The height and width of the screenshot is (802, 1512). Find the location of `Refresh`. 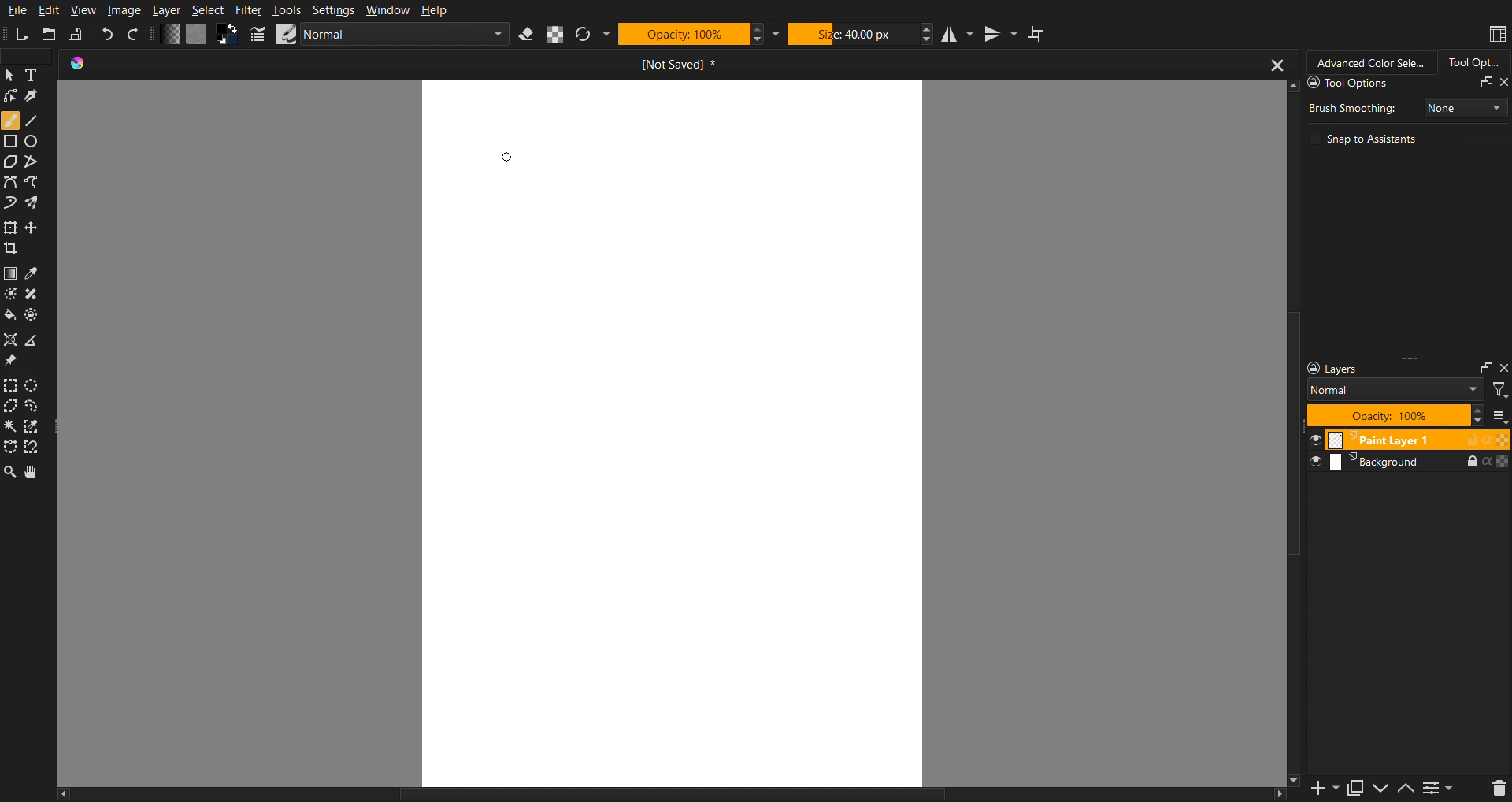

Refresh is located at coordinates (583, 34).